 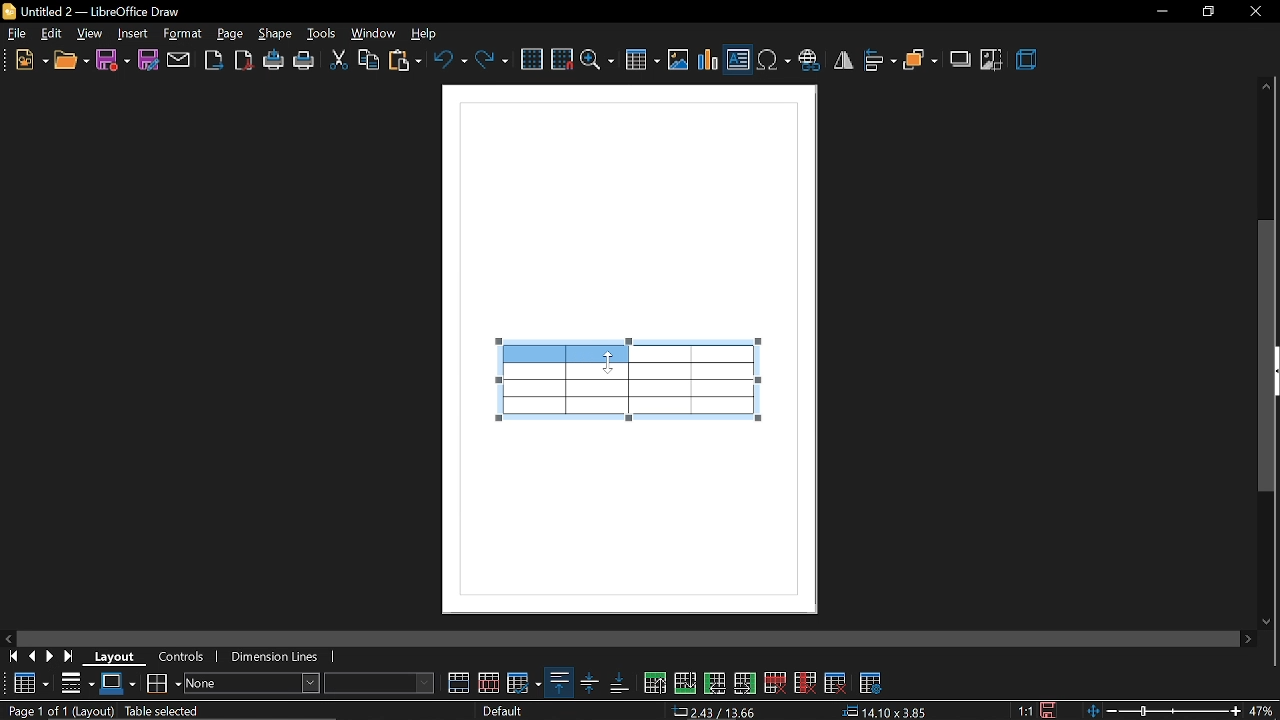 What do you see at coordinates (1162, 712) in the screenshot?
I see `zoom change` at bounding box center [1162, 712].